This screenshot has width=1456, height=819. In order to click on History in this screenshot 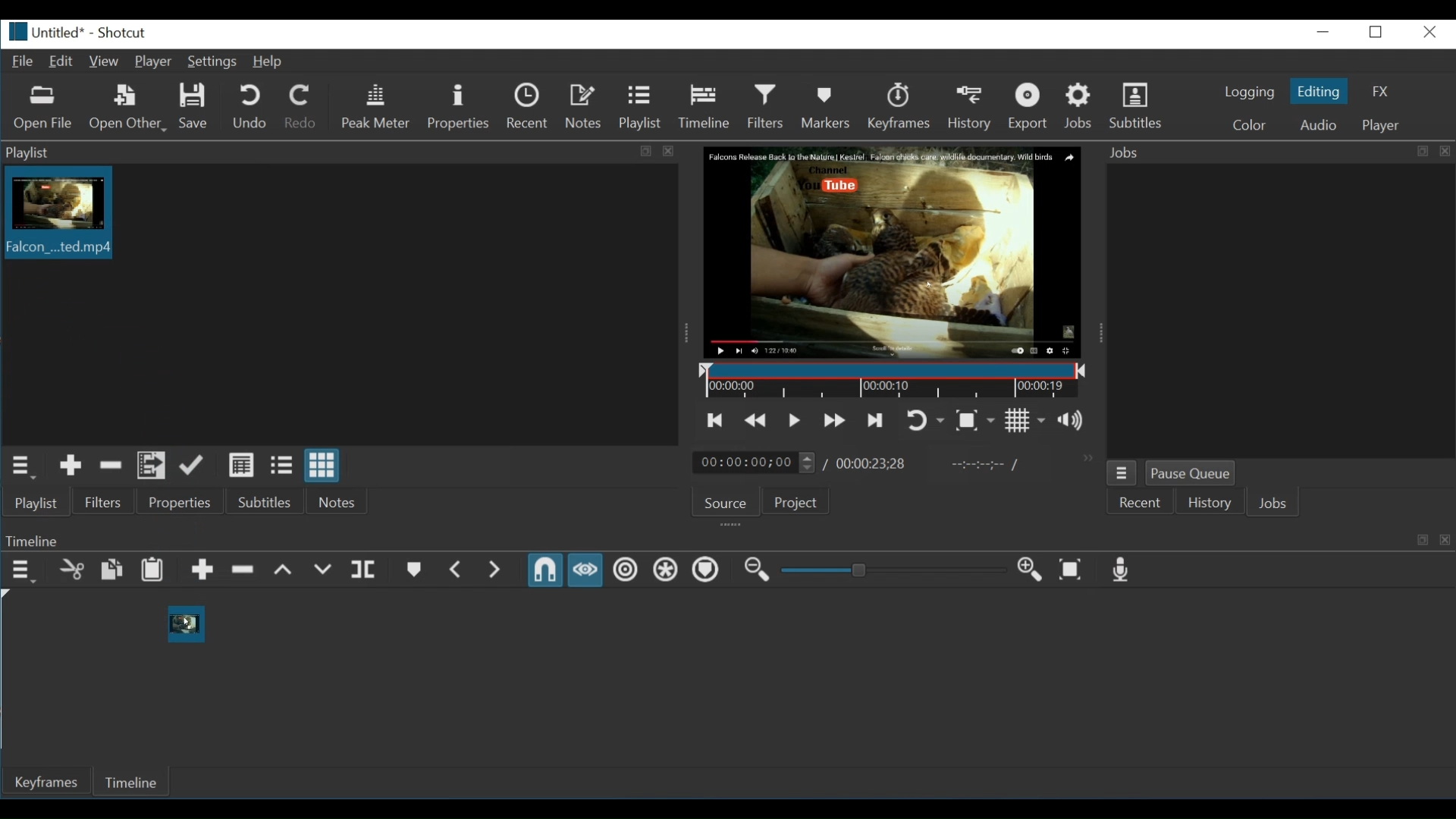, I will do `click(973, 106)`.